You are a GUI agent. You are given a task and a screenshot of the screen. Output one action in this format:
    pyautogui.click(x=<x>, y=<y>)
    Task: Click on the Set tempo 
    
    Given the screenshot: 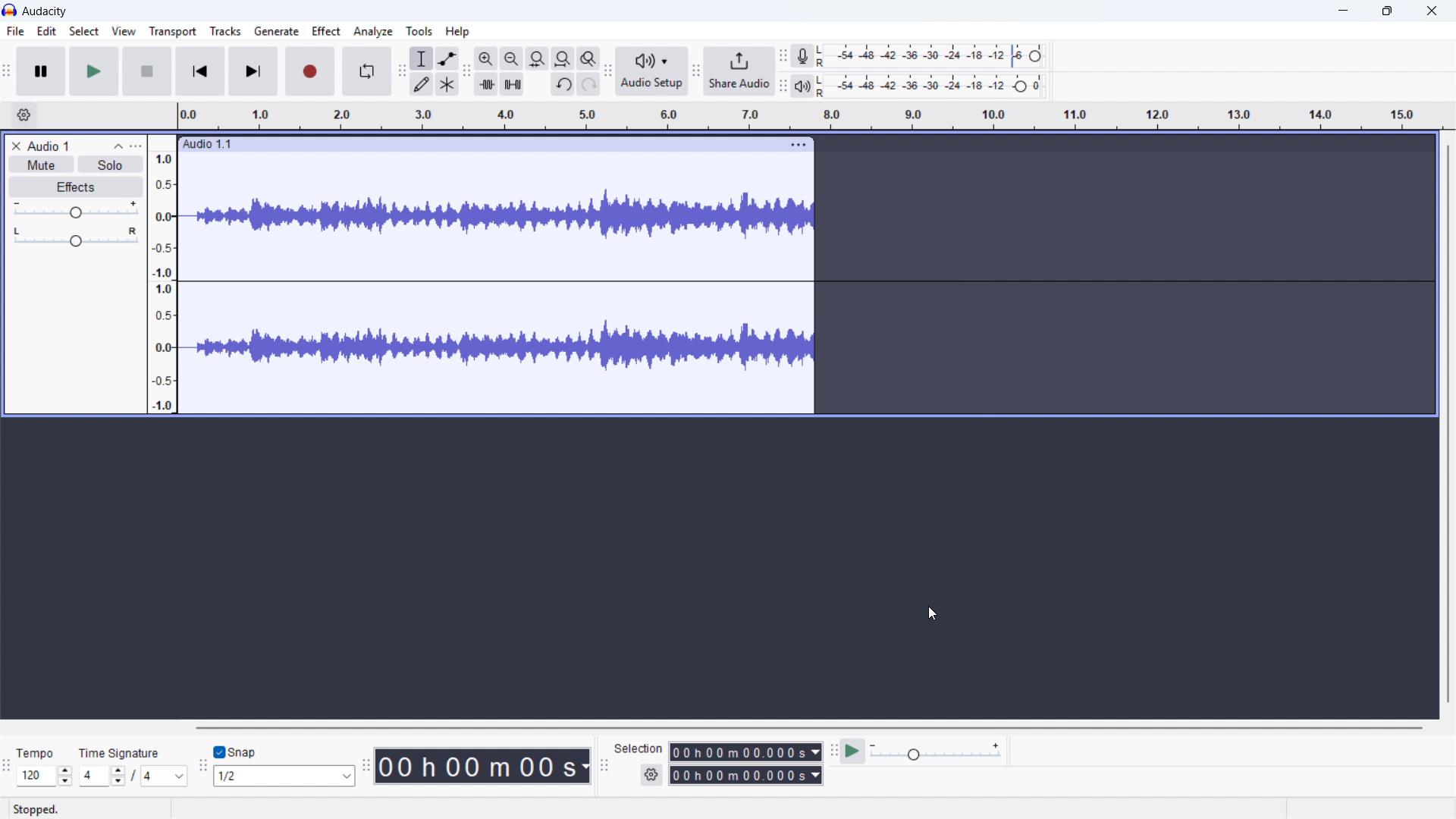 What is the action you would take?
    pyautogui.click(x=44, y=777)
    